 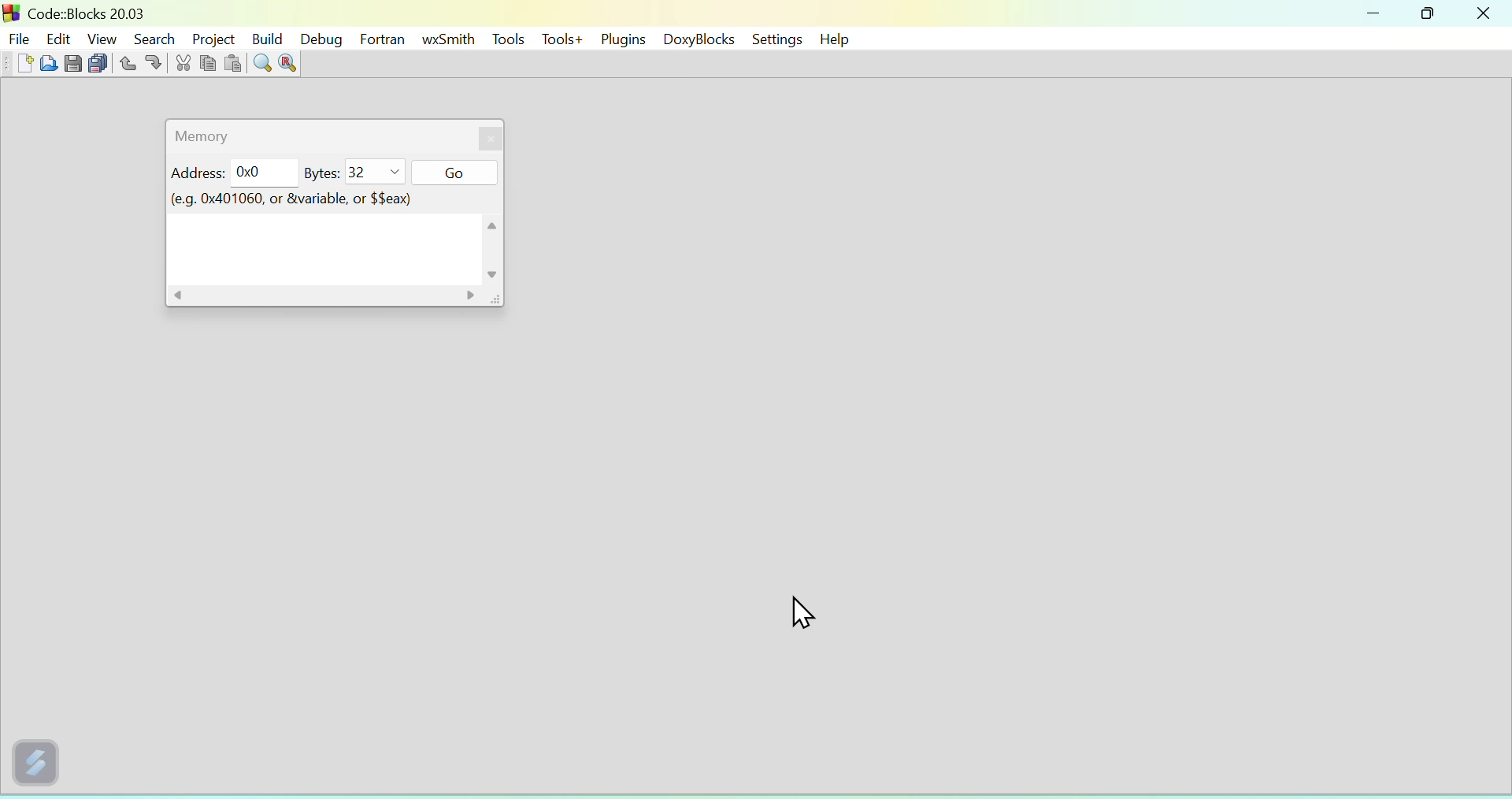 What do you see at coordinates (19, 36) in the screenshot?
I see `file` at bounding box center [19, 36].